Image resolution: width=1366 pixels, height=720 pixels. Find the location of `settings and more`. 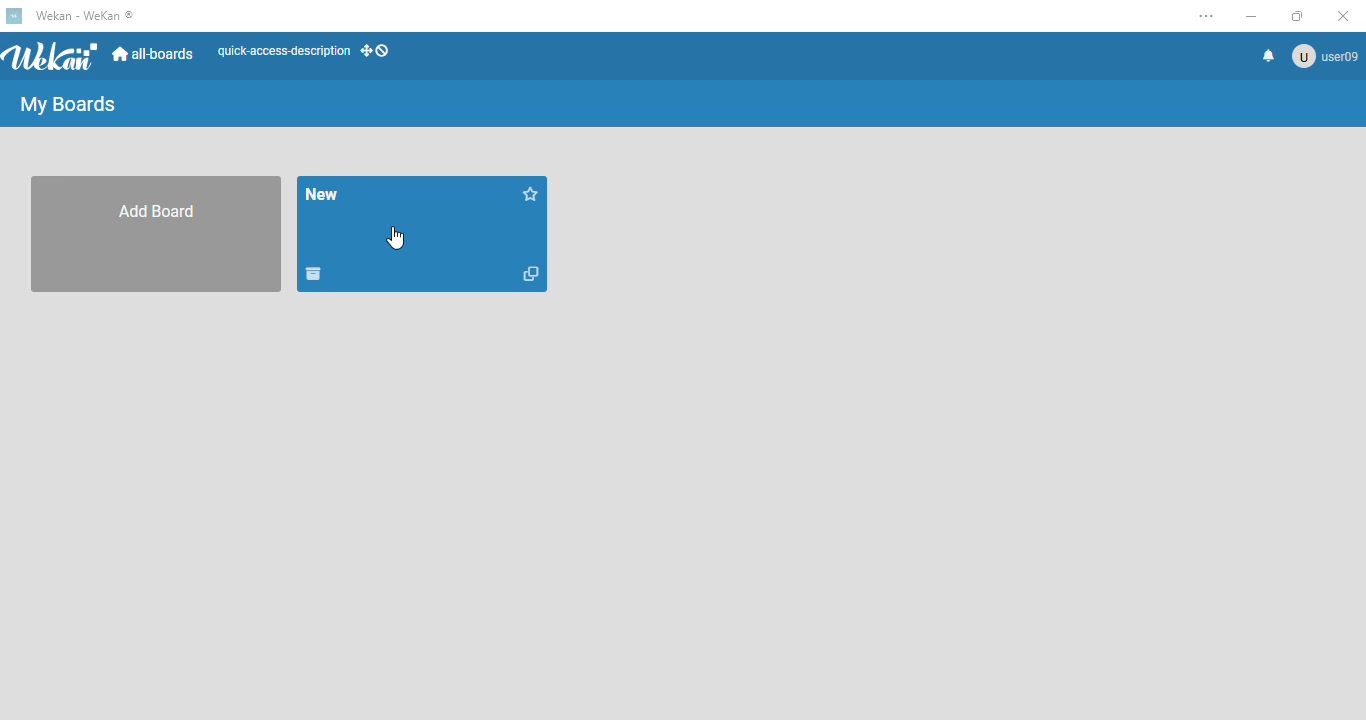

settings and more is located at coordinates (1206, 16).